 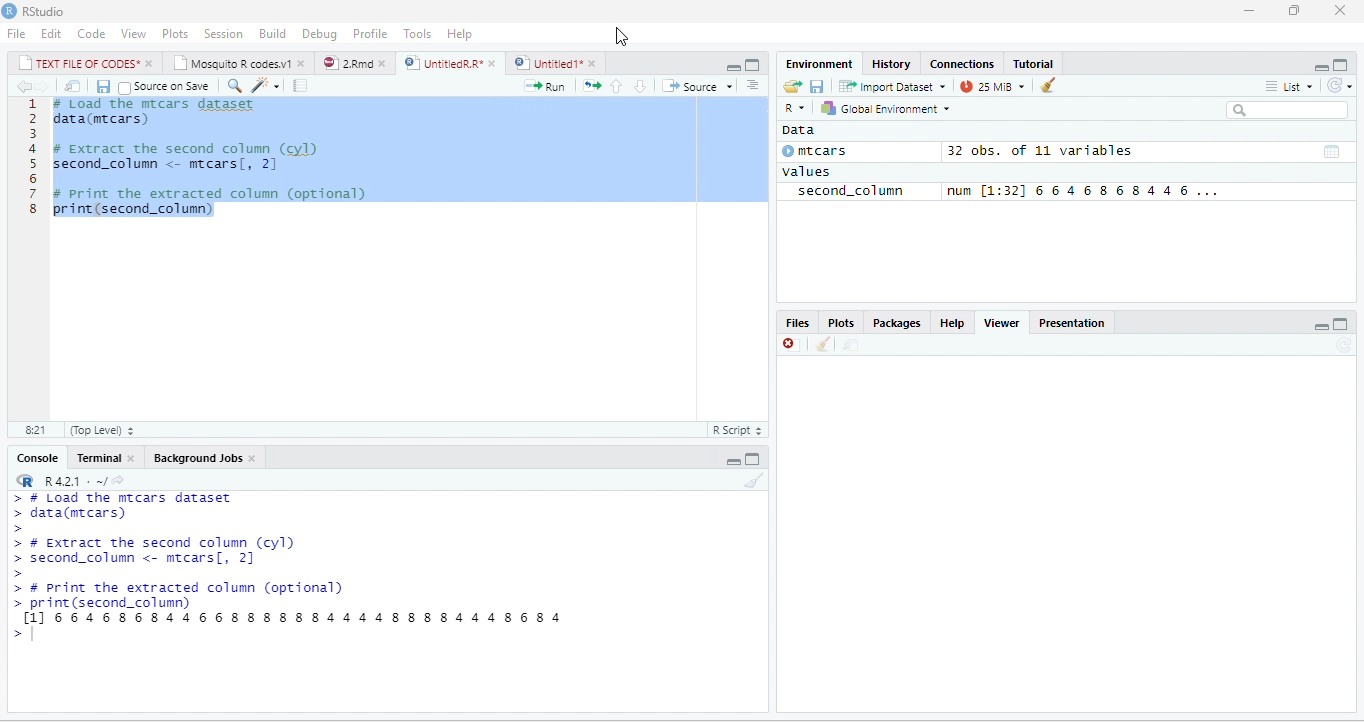 What do you see at coordinates (952, 324) in the screenshot?
I see `help` at bounding box center [952, 324].